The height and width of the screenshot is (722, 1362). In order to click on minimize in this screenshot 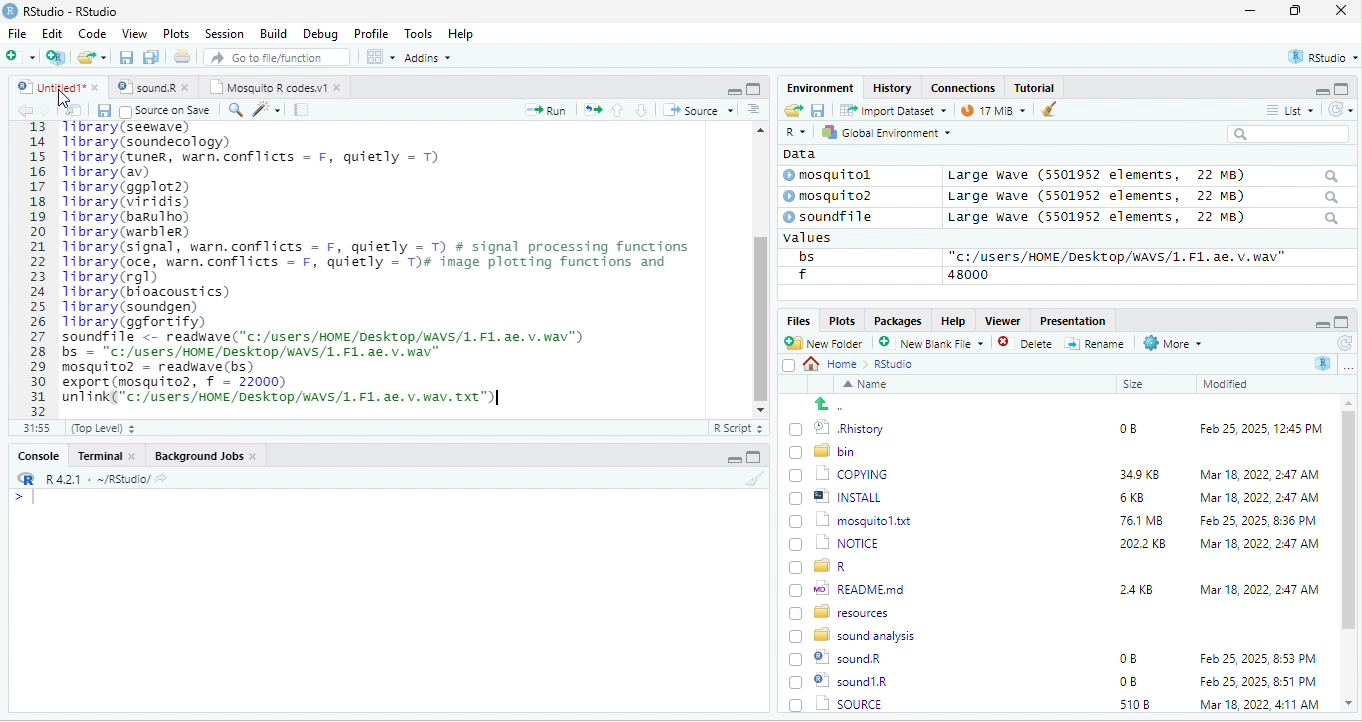, I will do `click(1314, 90)`.